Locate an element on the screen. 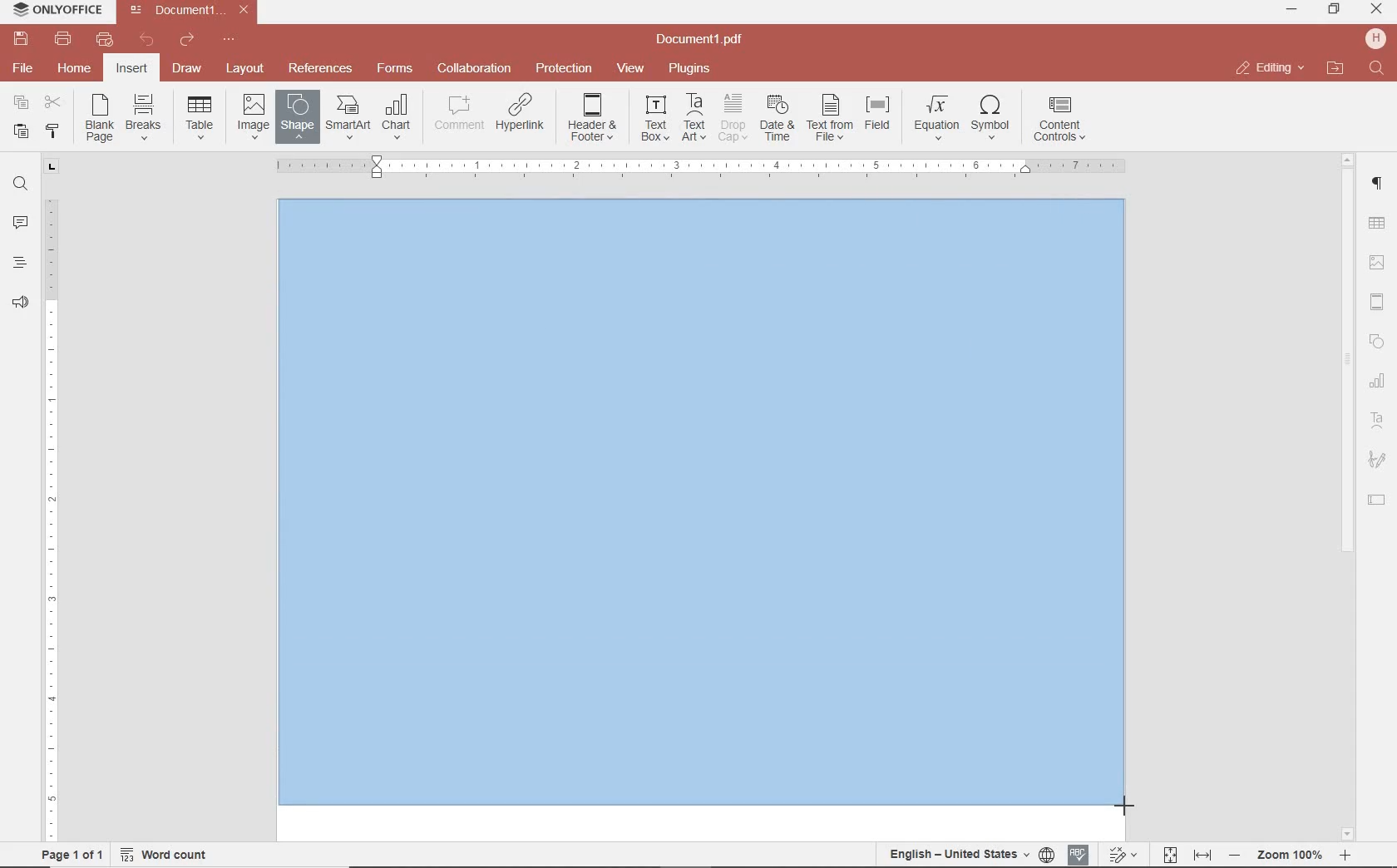  INSERT BLANK PAGE is located at coordinates (99, 117).